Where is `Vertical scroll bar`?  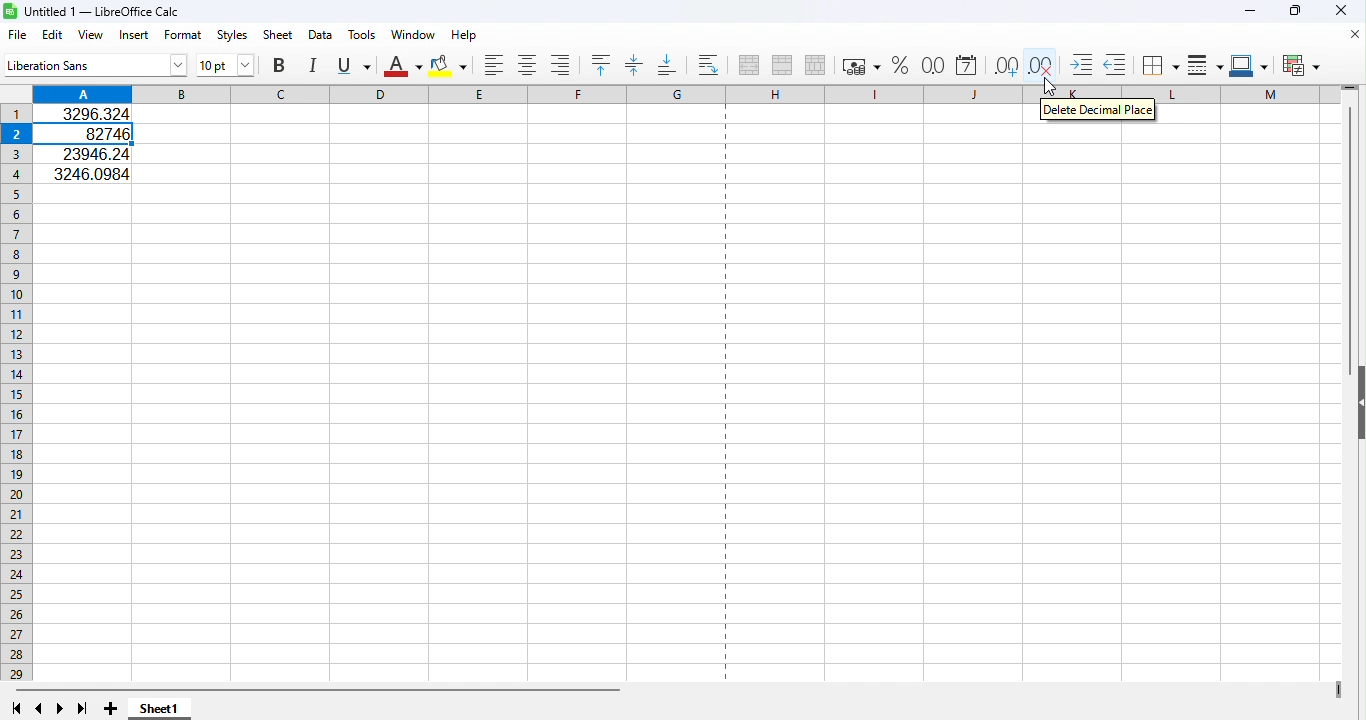 Vertical scroll bar is located at coordinates (1352, 209).